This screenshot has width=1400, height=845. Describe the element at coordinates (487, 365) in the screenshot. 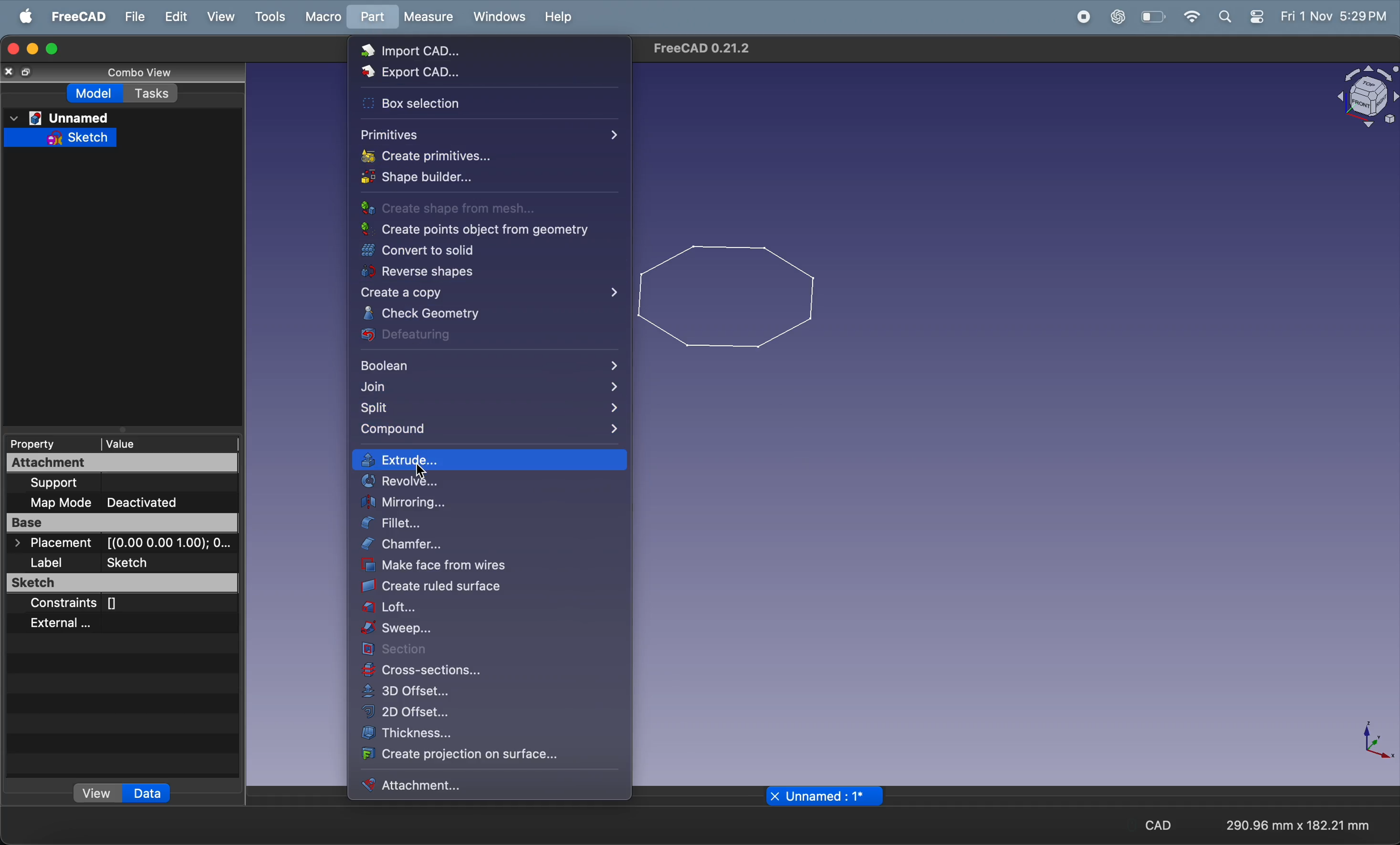

I see `boolean` at that location.